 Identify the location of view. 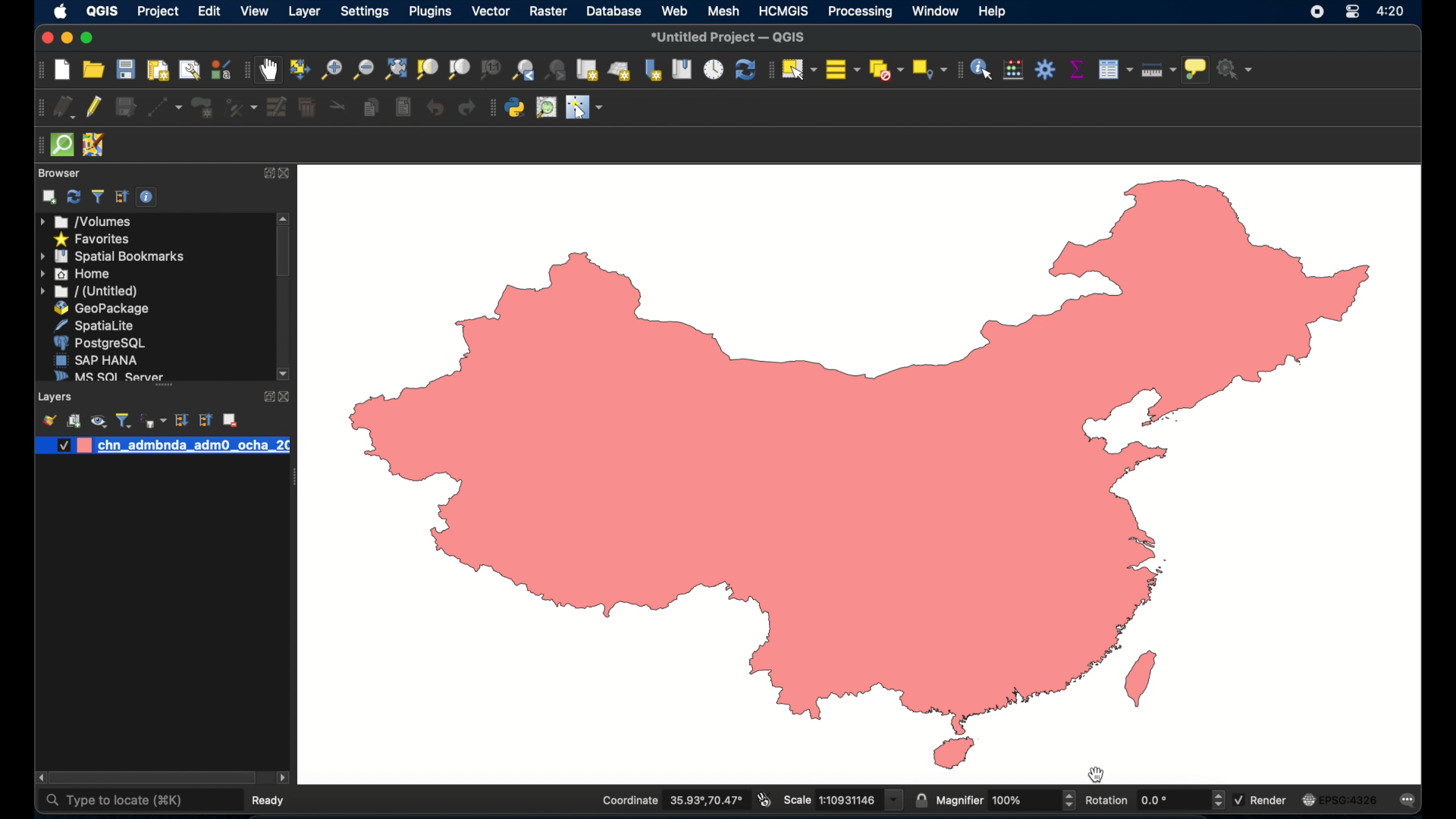
(255, 13).